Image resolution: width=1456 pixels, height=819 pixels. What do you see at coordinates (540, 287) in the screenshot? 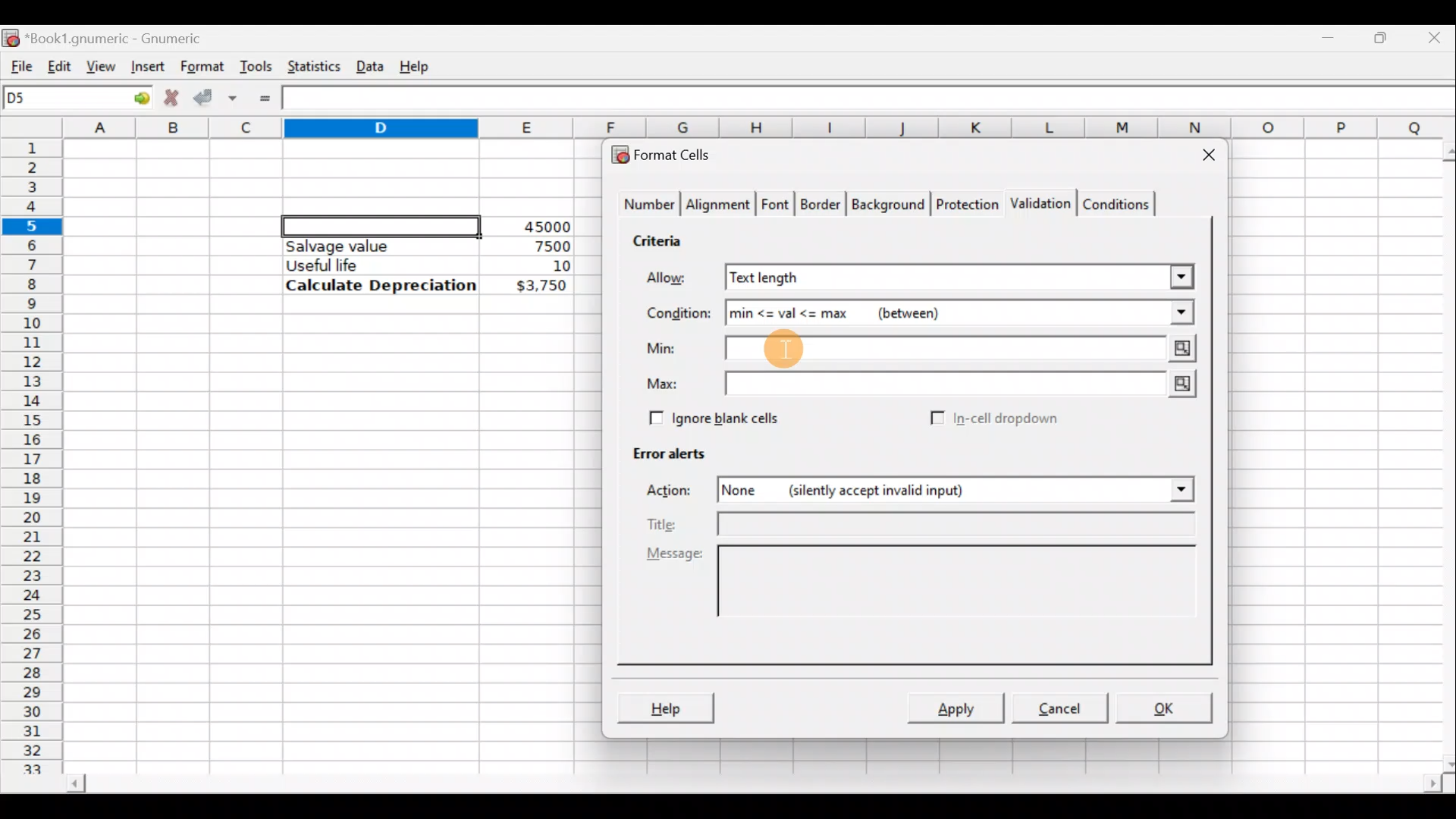
I see `$3,750` at bounding box center [540, 287].